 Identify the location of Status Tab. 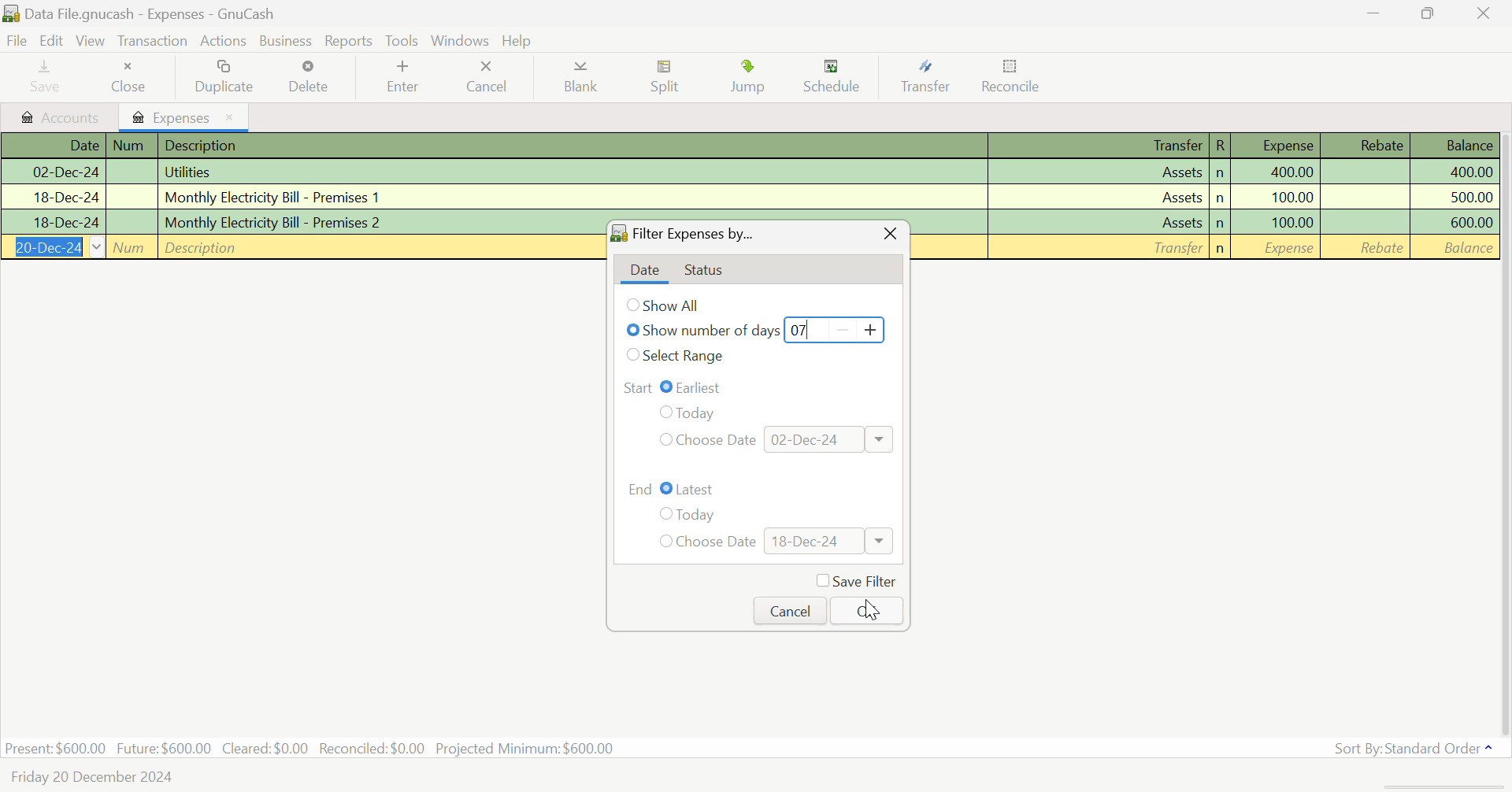
(705, 269).